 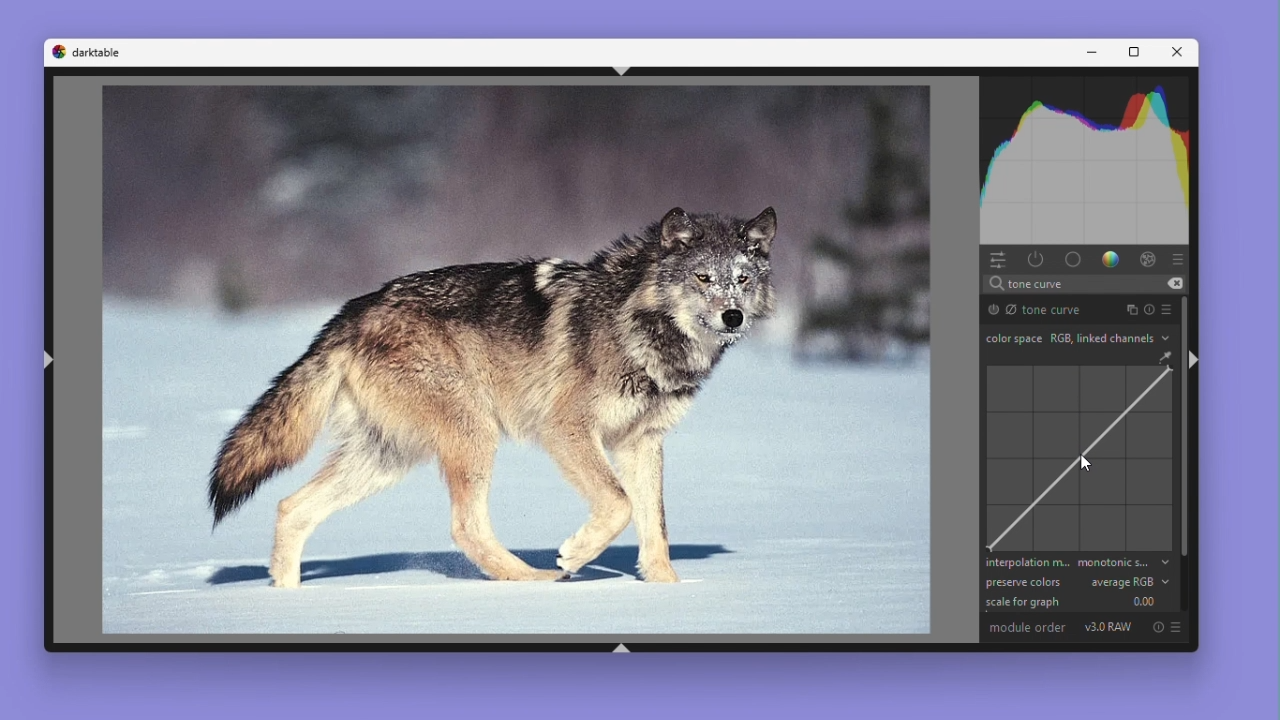 I want to click on Color, so click(x=1111, y=261).